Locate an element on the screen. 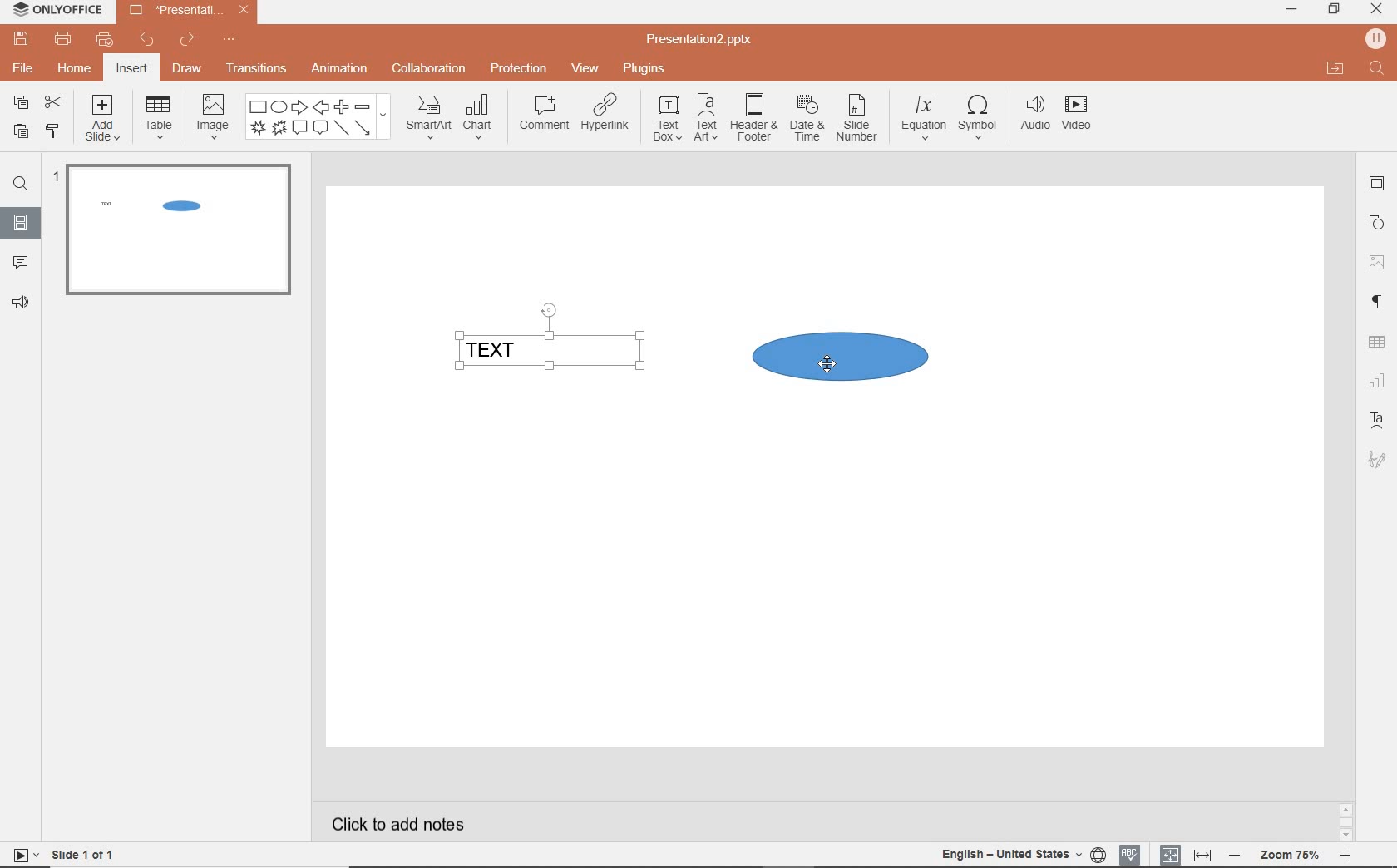 Image resolution: width=1397 pixels, height=868 pixels. home is located at coordinates (76, 69).